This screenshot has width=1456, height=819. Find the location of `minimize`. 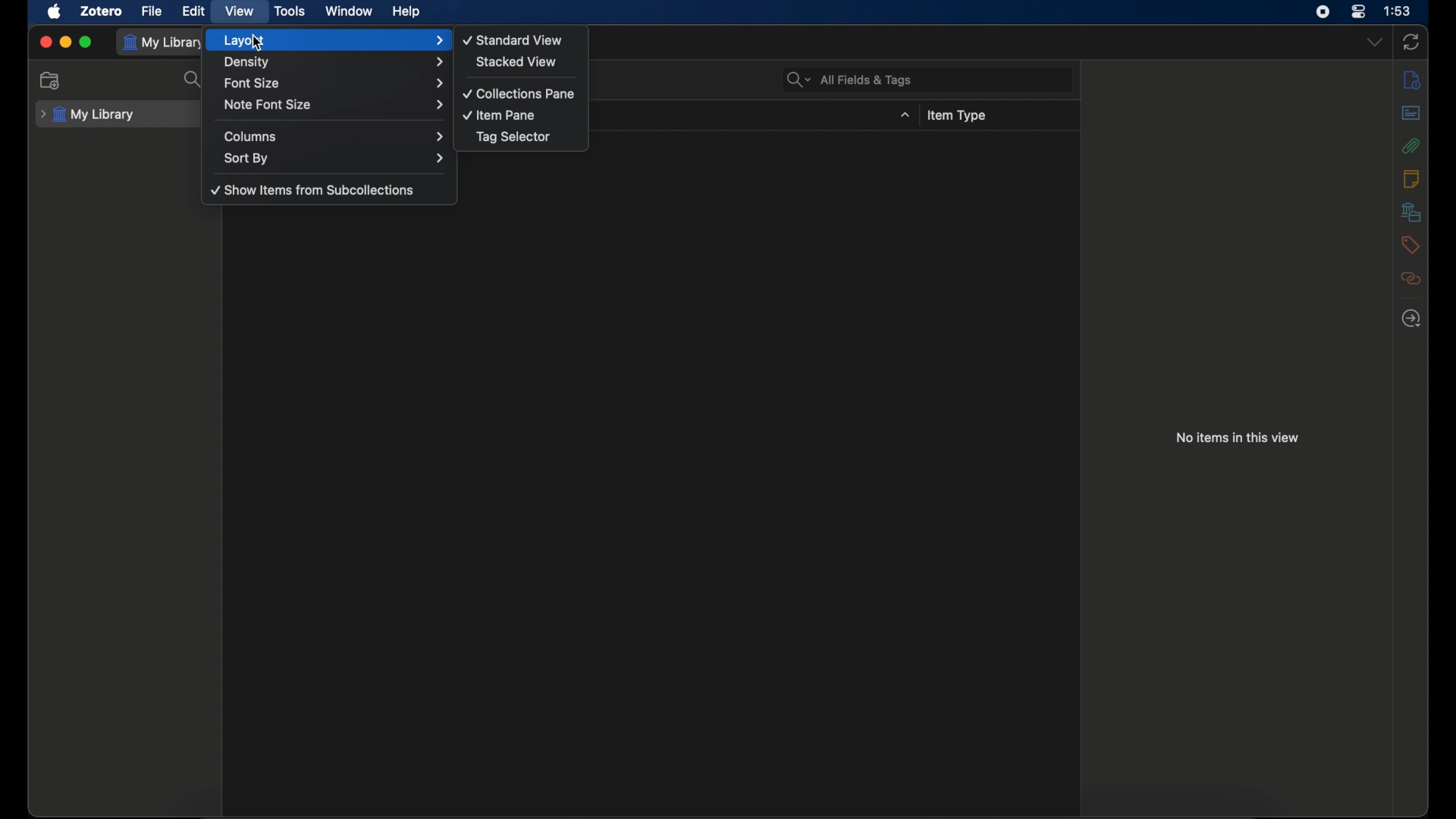

minimize is located at coordinates (65, 42).